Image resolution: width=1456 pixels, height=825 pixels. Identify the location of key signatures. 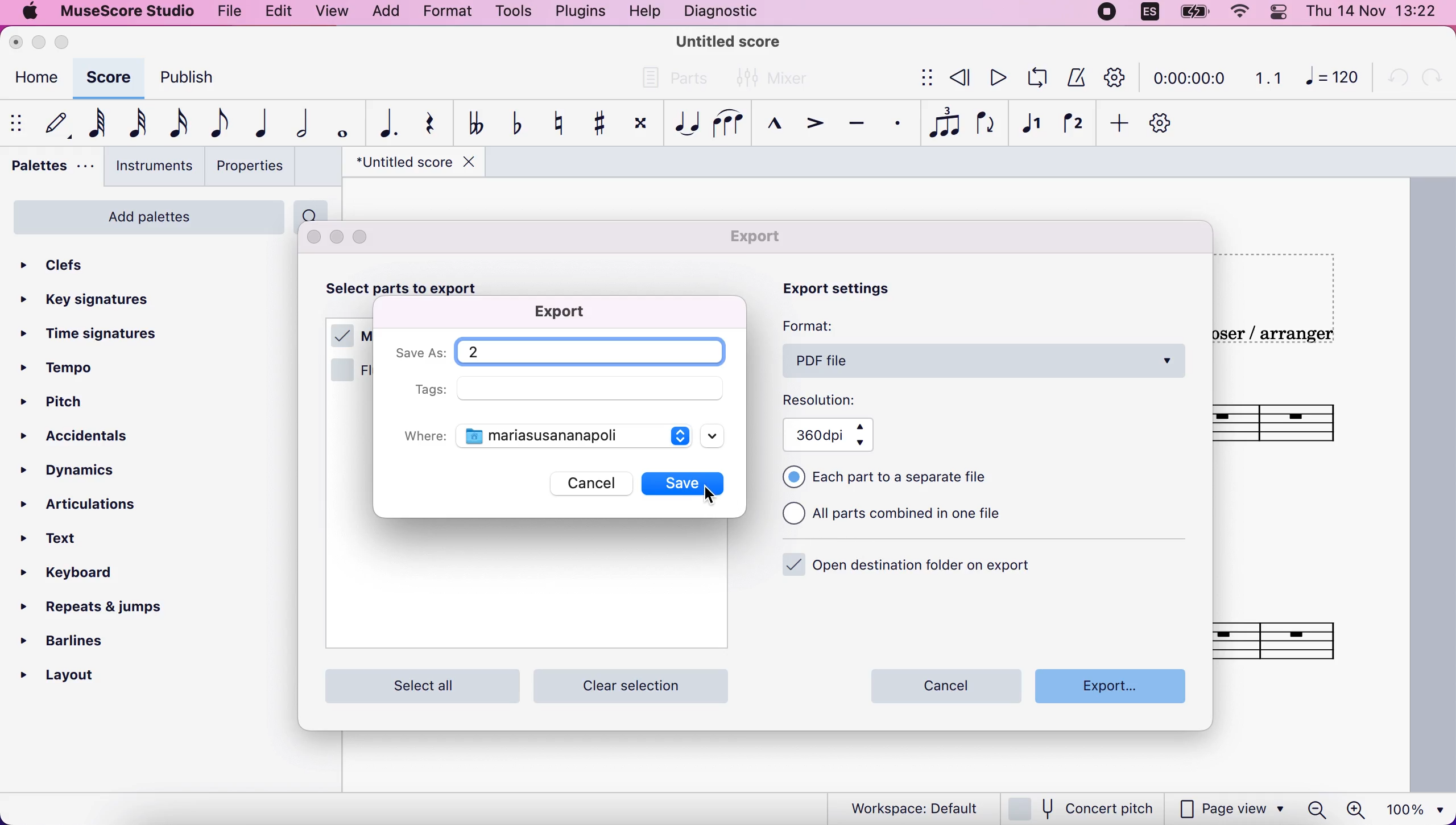
(94, 301).